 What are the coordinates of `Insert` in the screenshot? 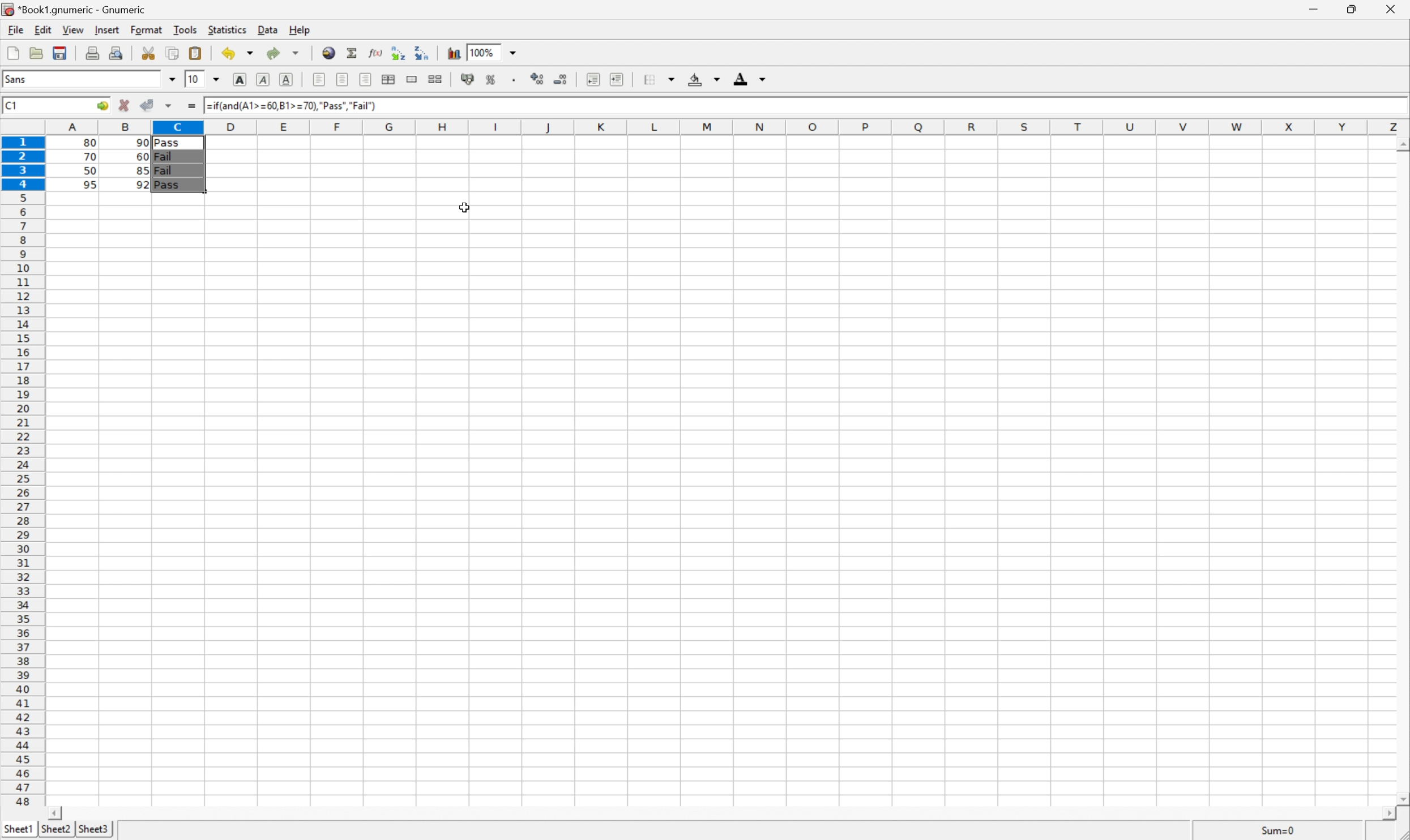 It's located at (108, 31).